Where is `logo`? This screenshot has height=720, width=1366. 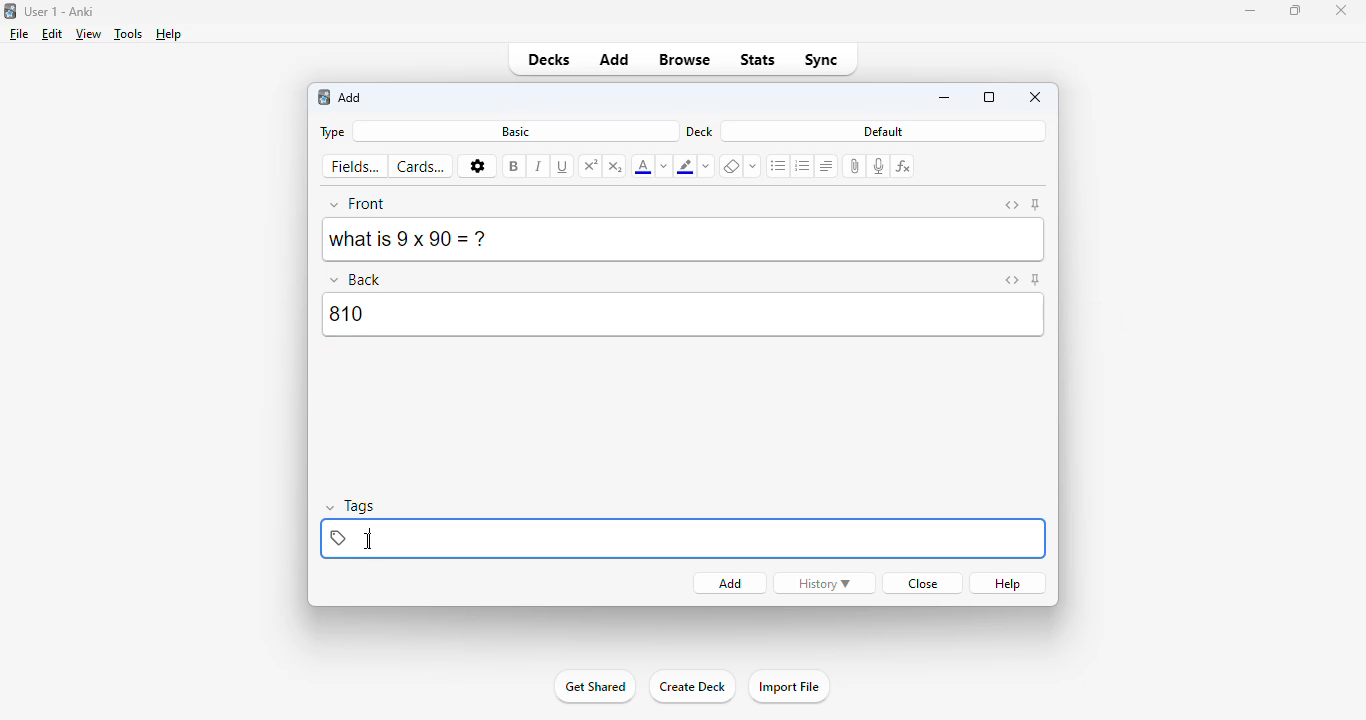
logo is located at coordinates (323, 97).